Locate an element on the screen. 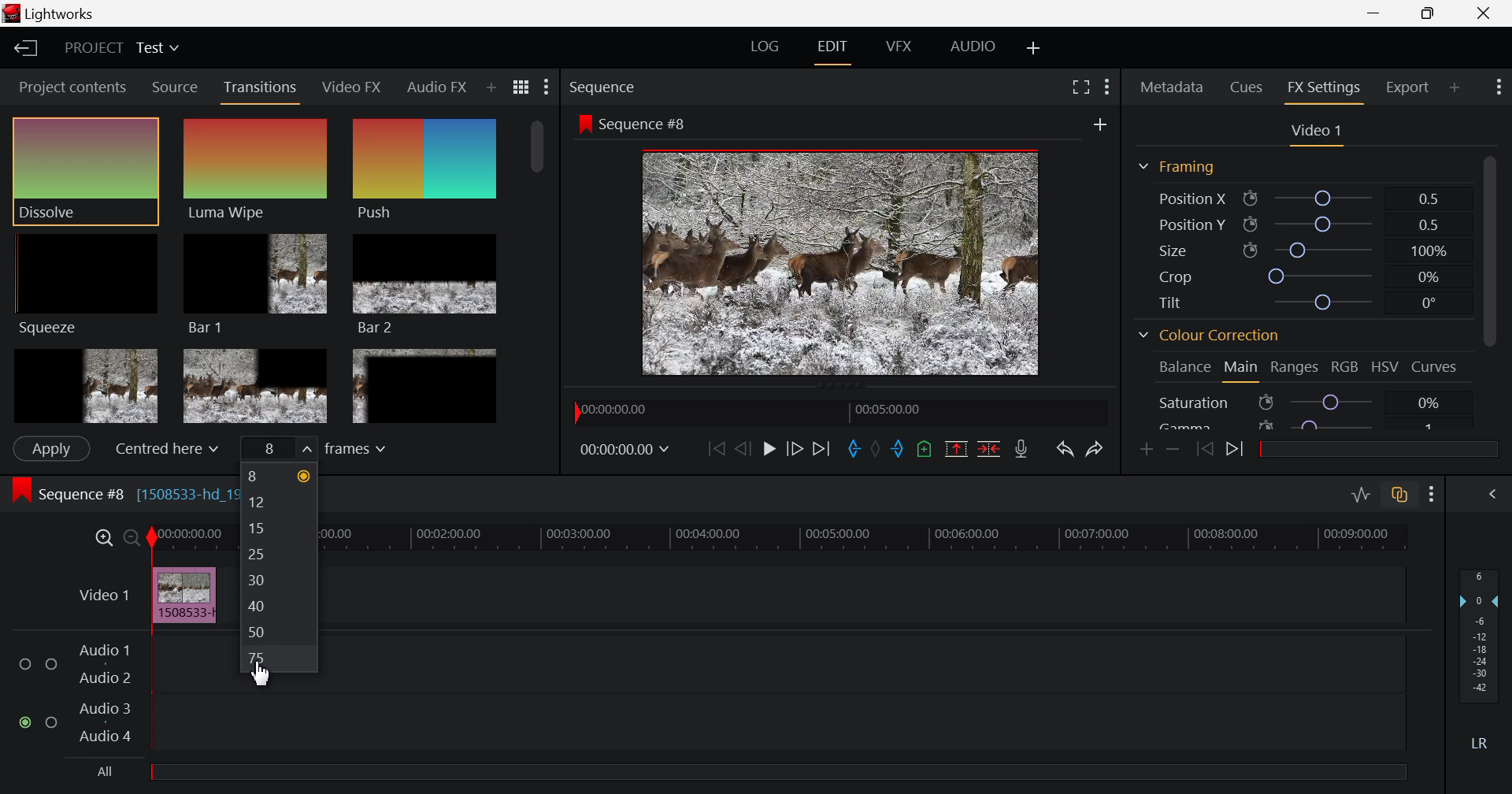  RGB is located at coordinates (1347, 369).